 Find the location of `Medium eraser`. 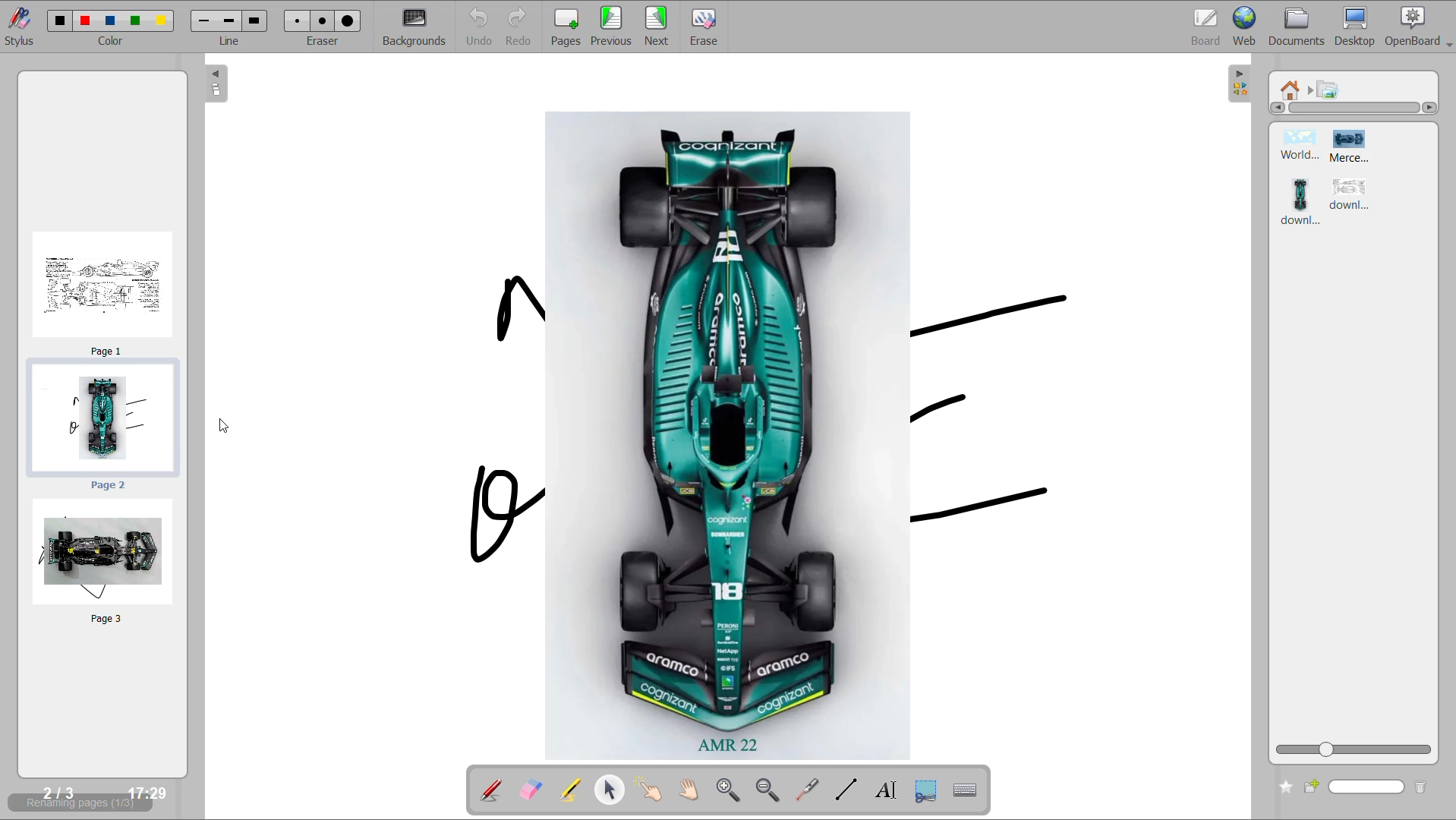

Medium eraser is located at coordinates (320, 18).